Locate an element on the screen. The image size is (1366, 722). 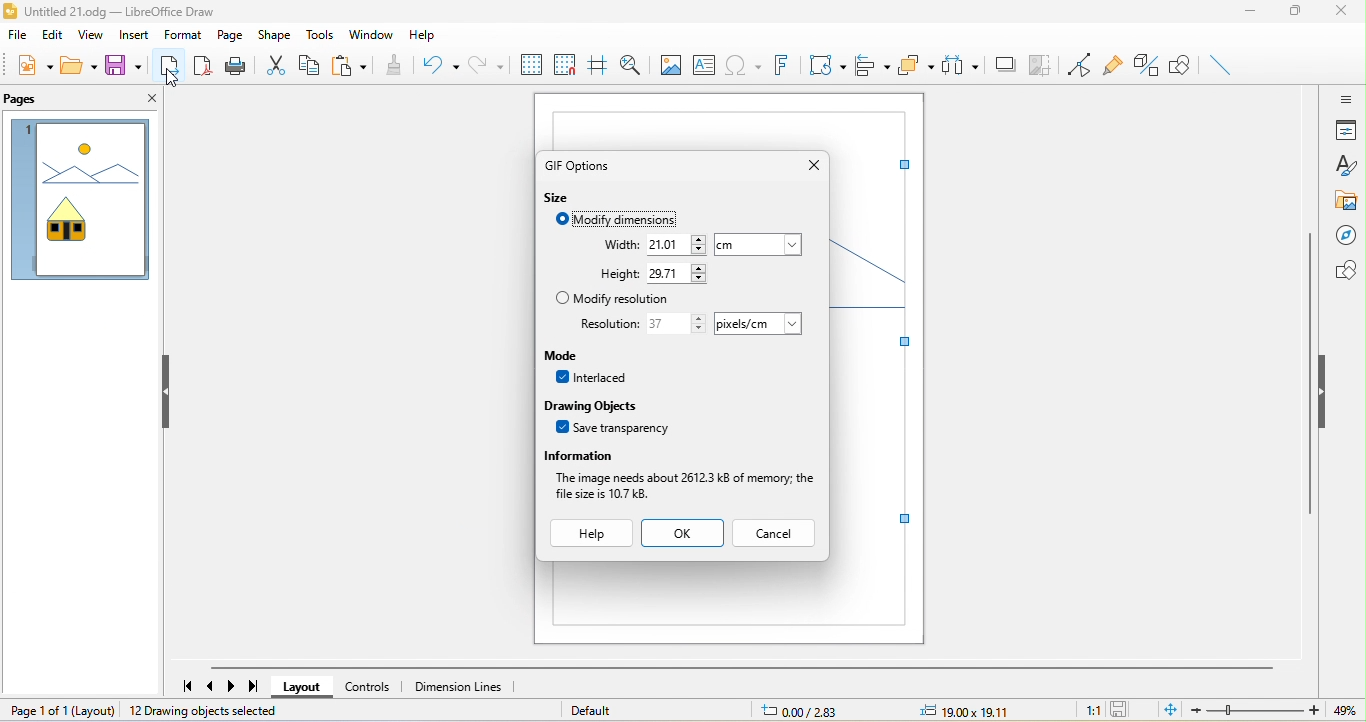
information is located at coordinates (684, 455).